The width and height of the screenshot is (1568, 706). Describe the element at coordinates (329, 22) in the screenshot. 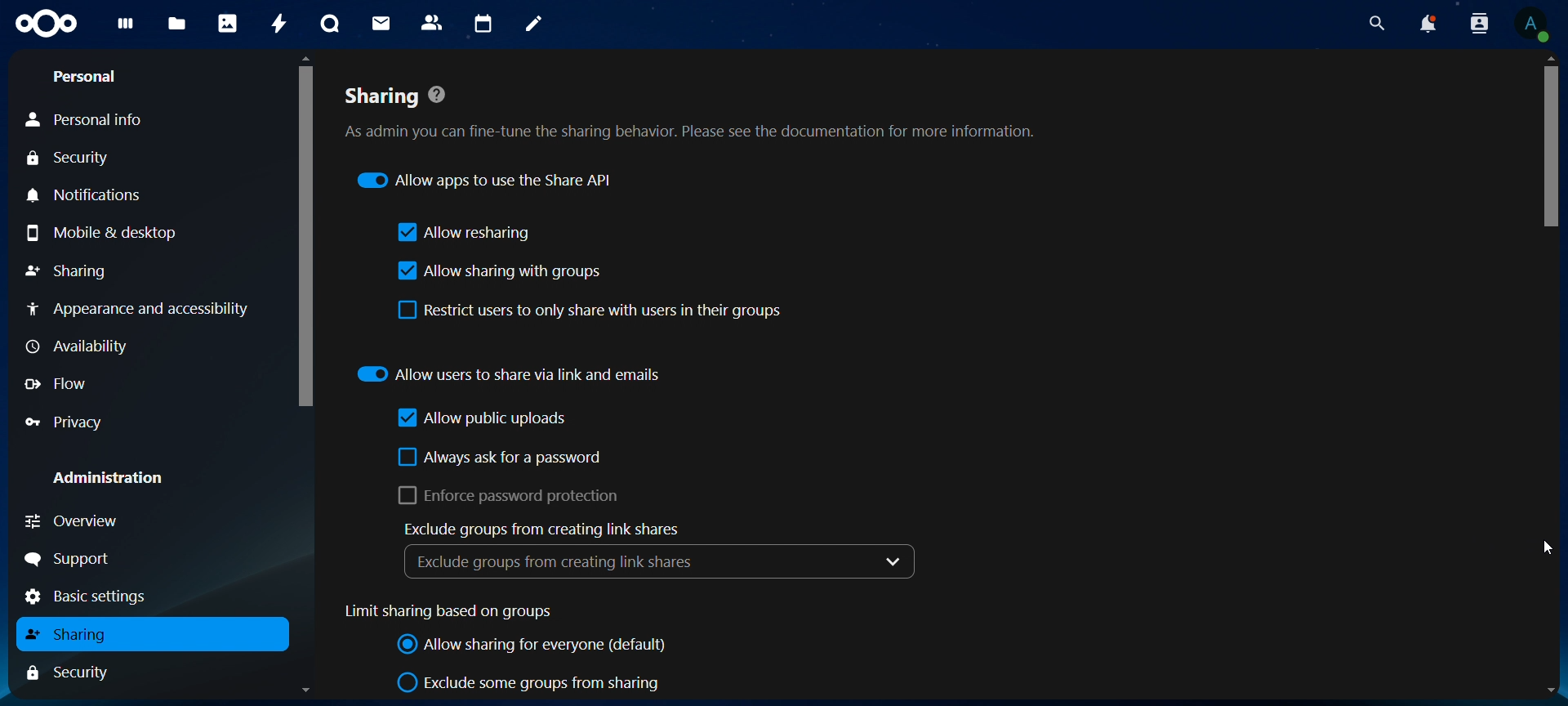

I see `talk` at that location.